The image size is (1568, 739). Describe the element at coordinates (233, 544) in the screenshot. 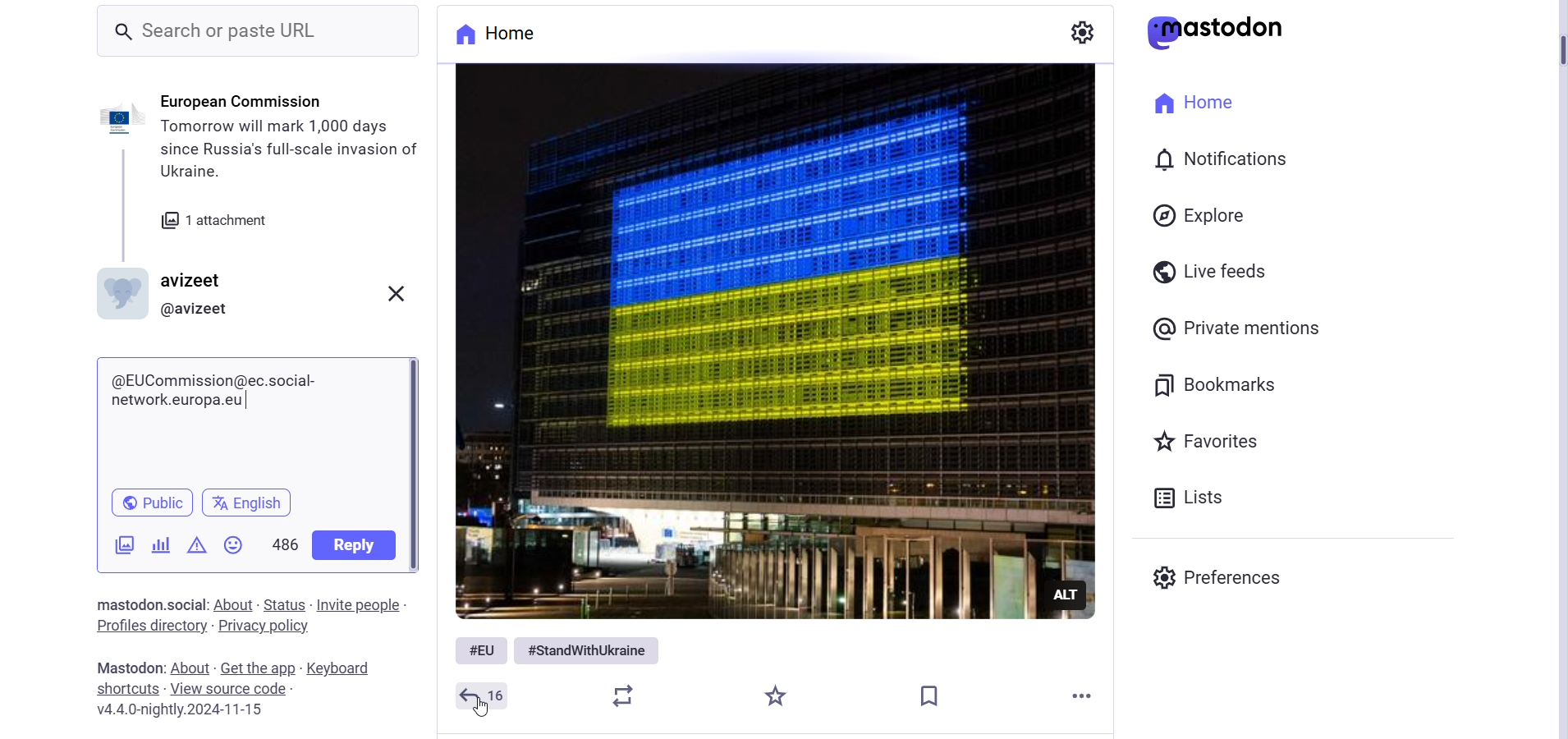

I see `Emojis` at that location.